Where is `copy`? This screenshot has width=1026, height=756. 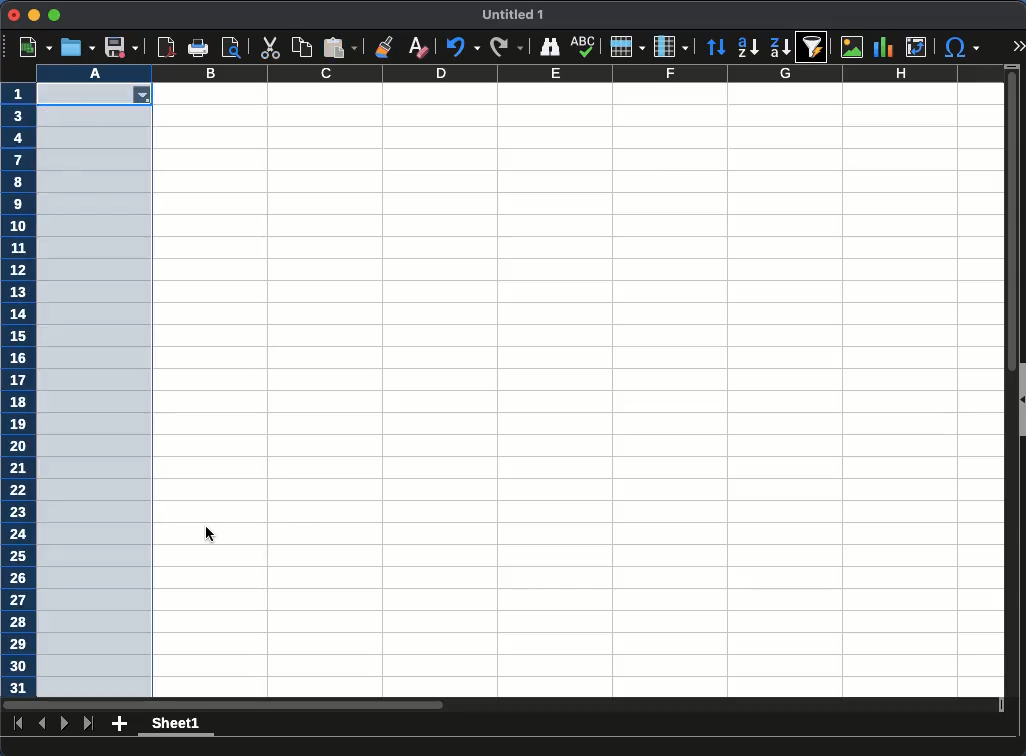
copy is located at coordinates (303, 48).